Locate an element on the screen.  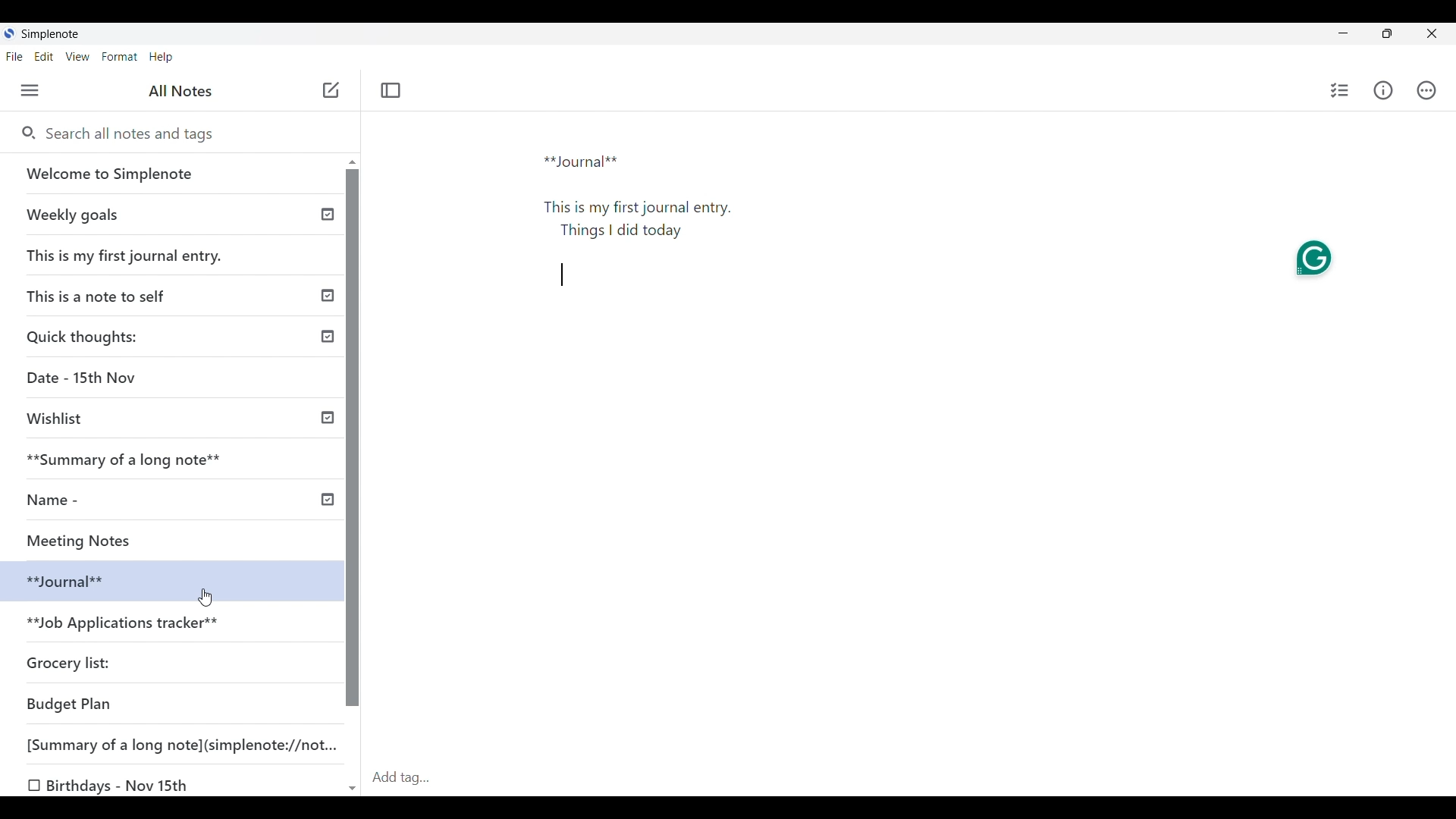
Format menu is located at coordinates (121, 57).